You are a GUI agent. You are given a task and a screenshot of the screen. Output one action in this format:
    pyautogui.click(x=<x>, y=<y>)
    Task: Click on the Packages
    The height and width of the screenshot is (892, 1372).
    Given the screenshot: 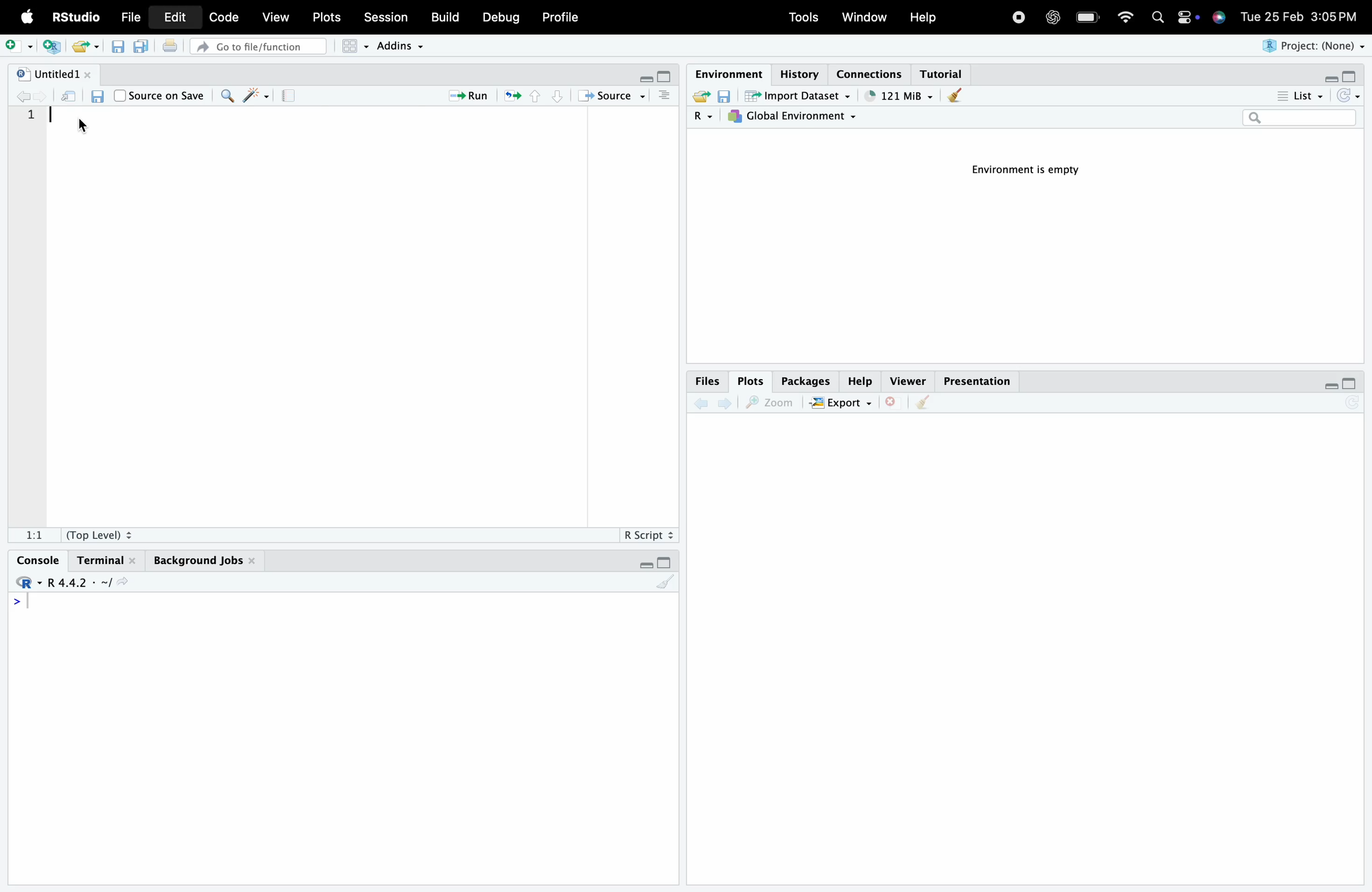 What is the action you would take?
    pyautogui.click(x=806, y=381)
    